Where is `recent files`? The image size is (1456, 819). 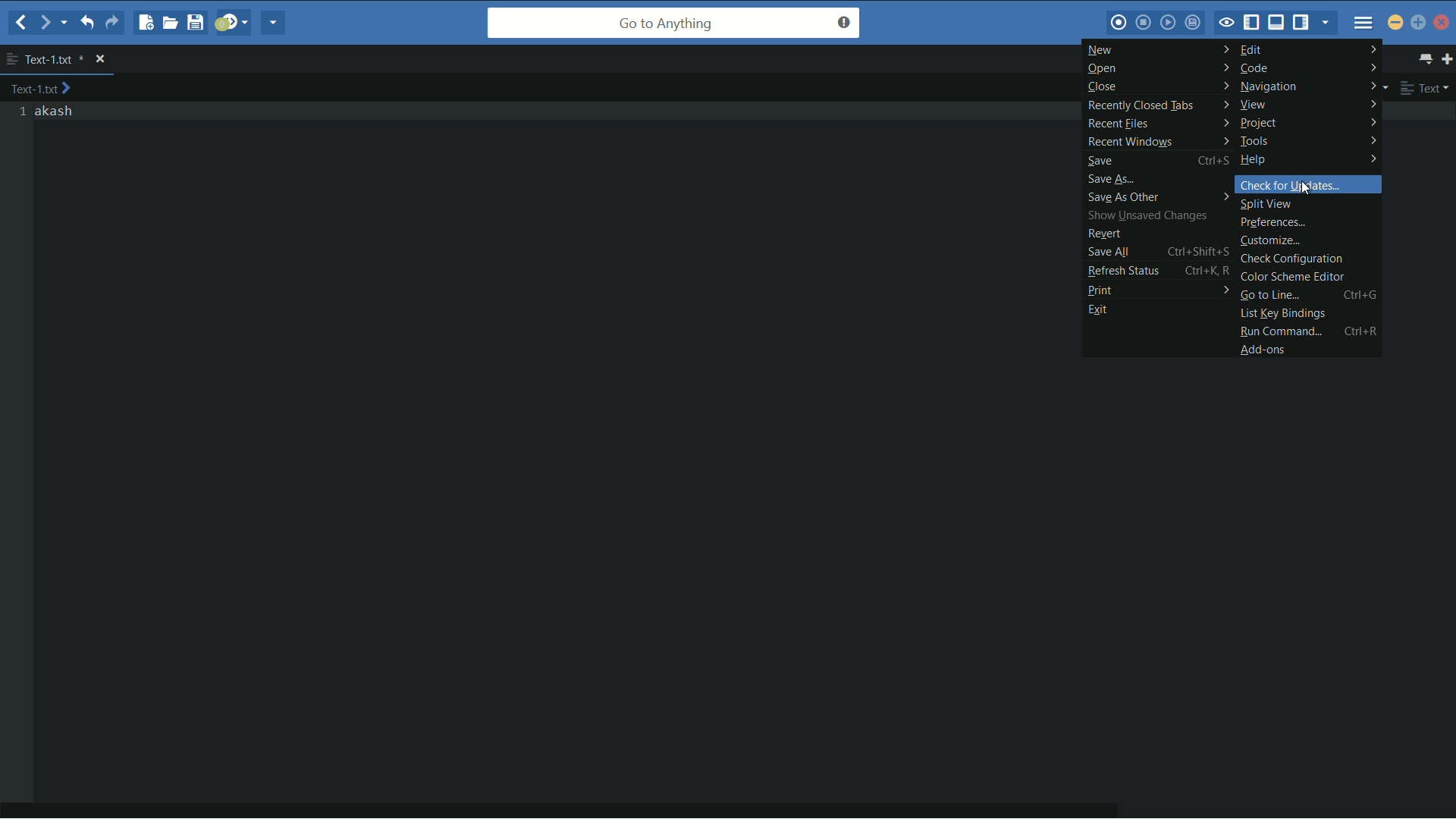 recent files is located at coordinates (1159, 123).